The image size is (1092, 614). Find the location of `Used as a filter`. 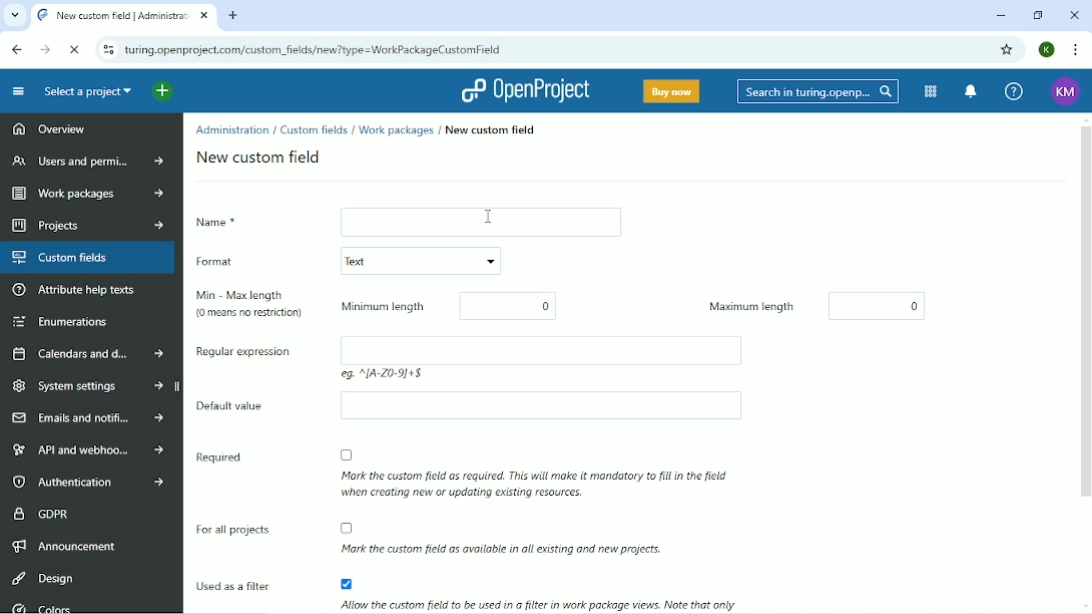

Used as a filter is located at coordinates (236, 593).